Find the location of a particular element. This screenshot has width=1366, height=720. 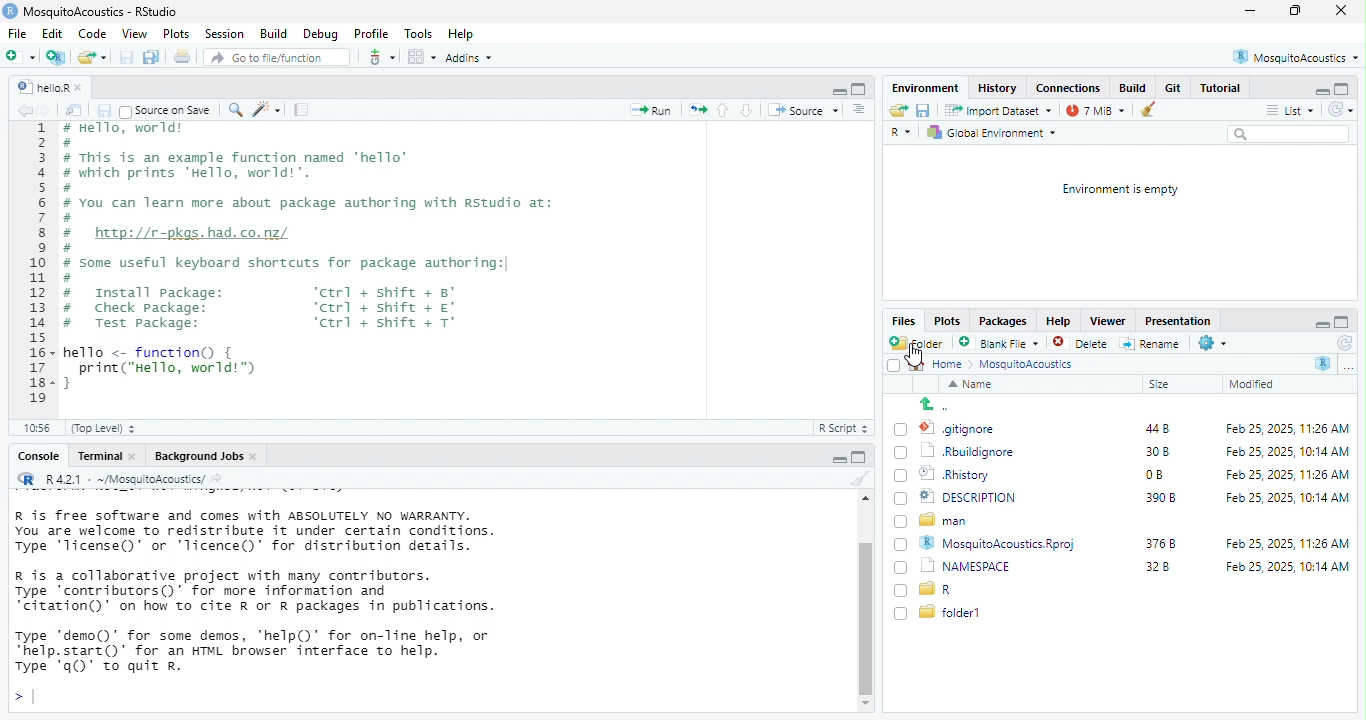

Presentation is located at coordinates (1176, 321).